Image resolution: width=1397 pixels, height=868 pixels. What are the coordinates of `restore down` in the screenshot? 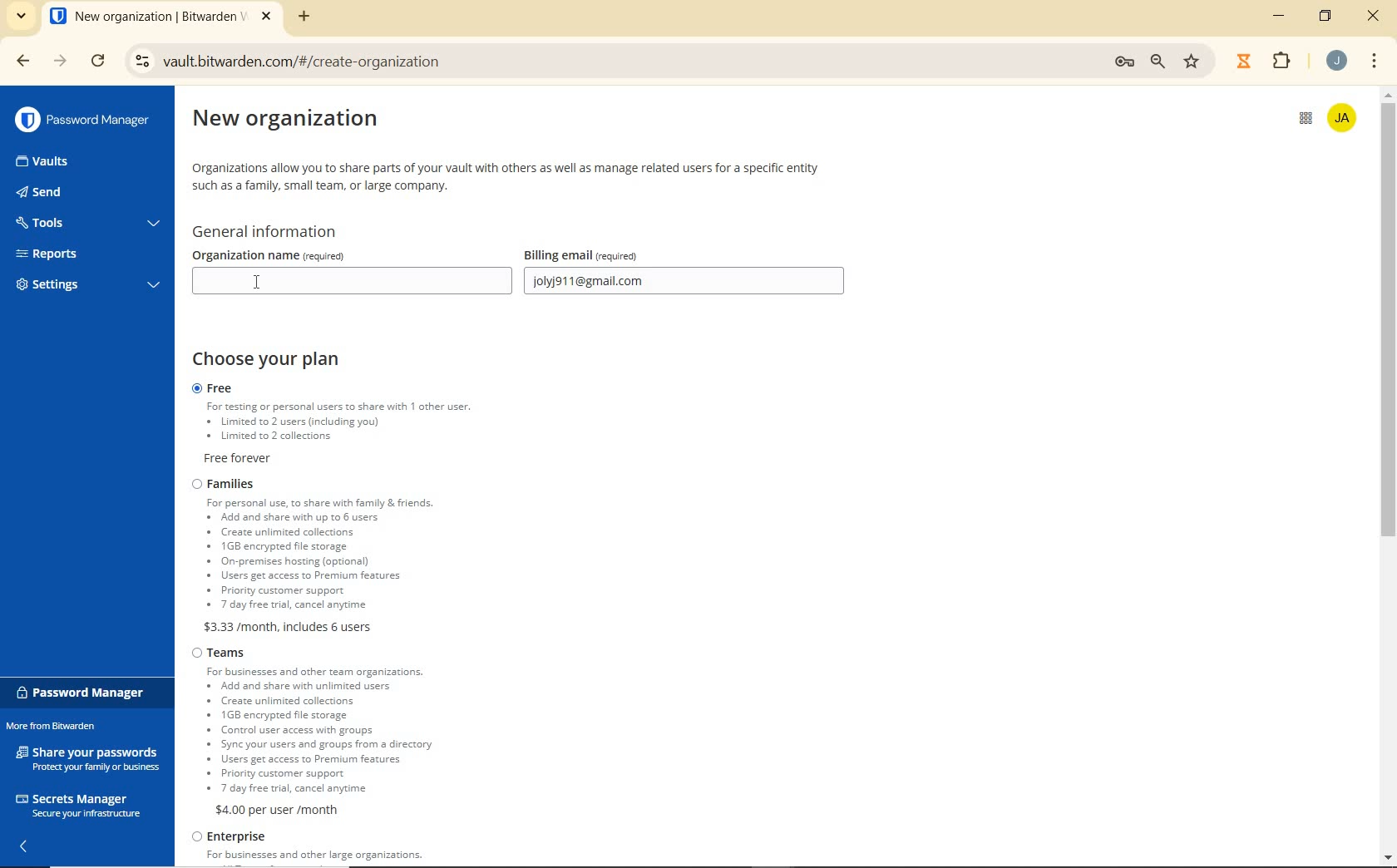 It's located at (1328, 16).